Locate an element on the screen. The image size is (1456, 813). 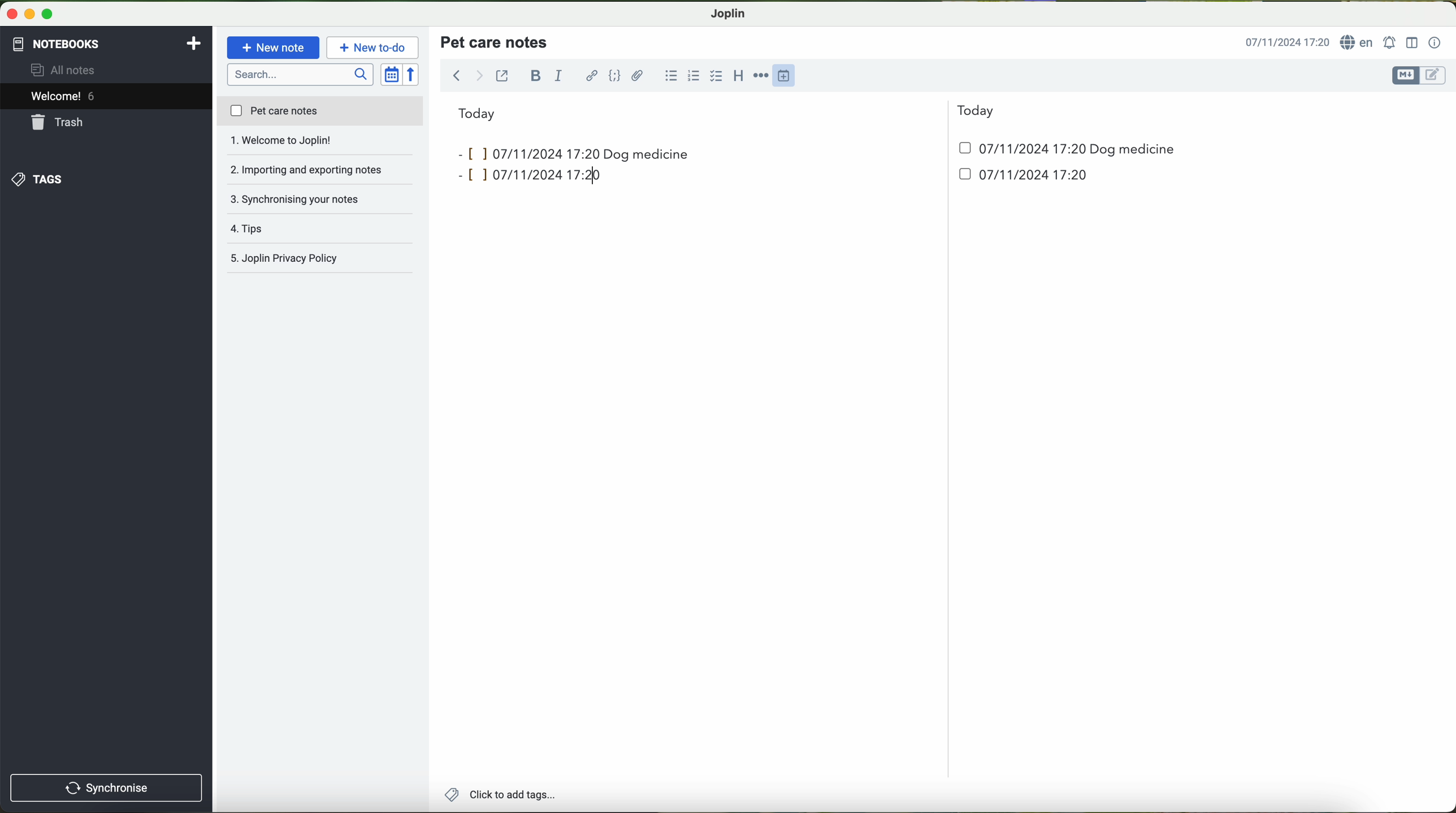
add tags is located at coordinates (500, 796).